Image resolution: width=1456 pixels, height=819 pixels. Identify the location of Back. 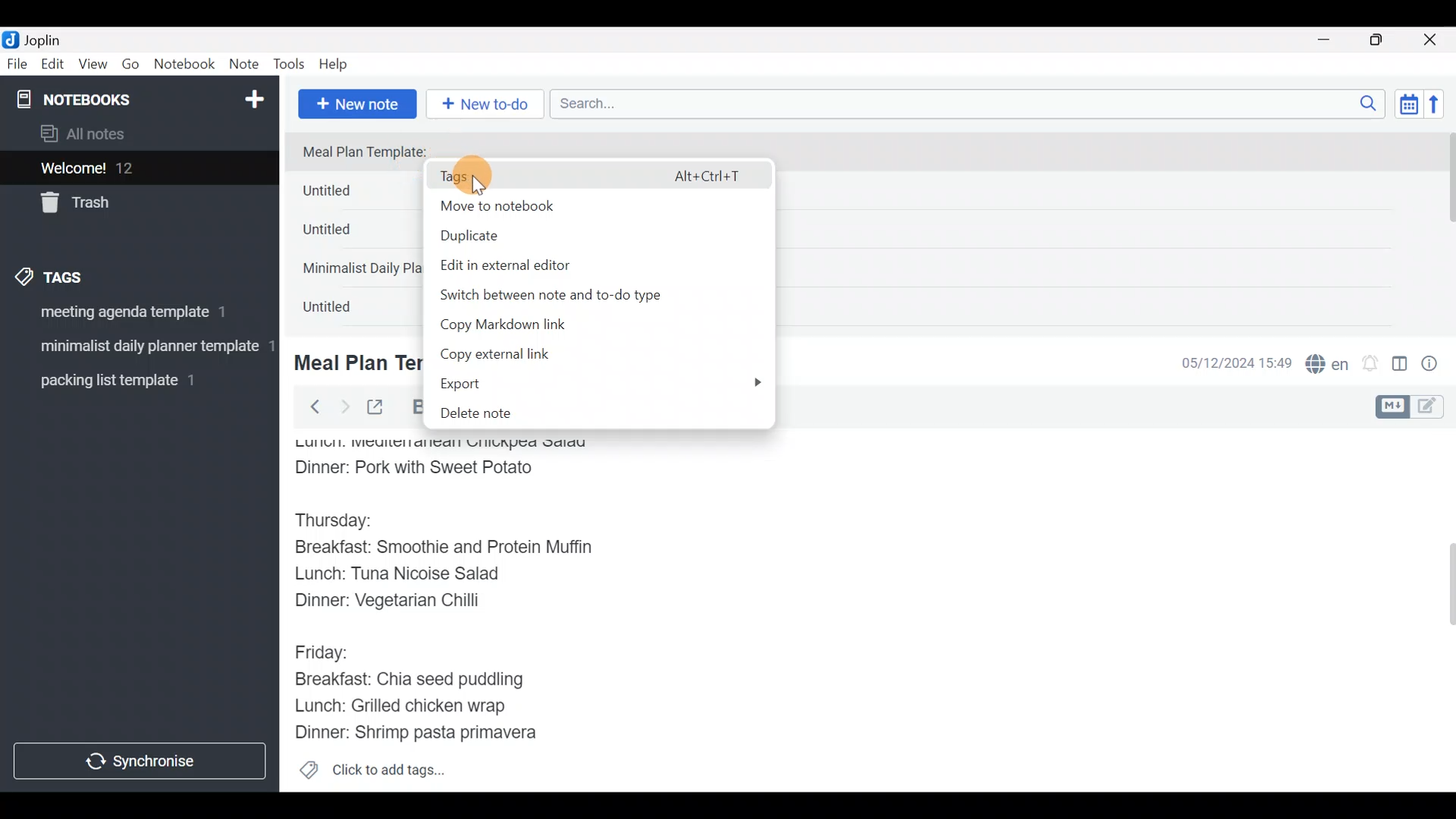
(309, 406).